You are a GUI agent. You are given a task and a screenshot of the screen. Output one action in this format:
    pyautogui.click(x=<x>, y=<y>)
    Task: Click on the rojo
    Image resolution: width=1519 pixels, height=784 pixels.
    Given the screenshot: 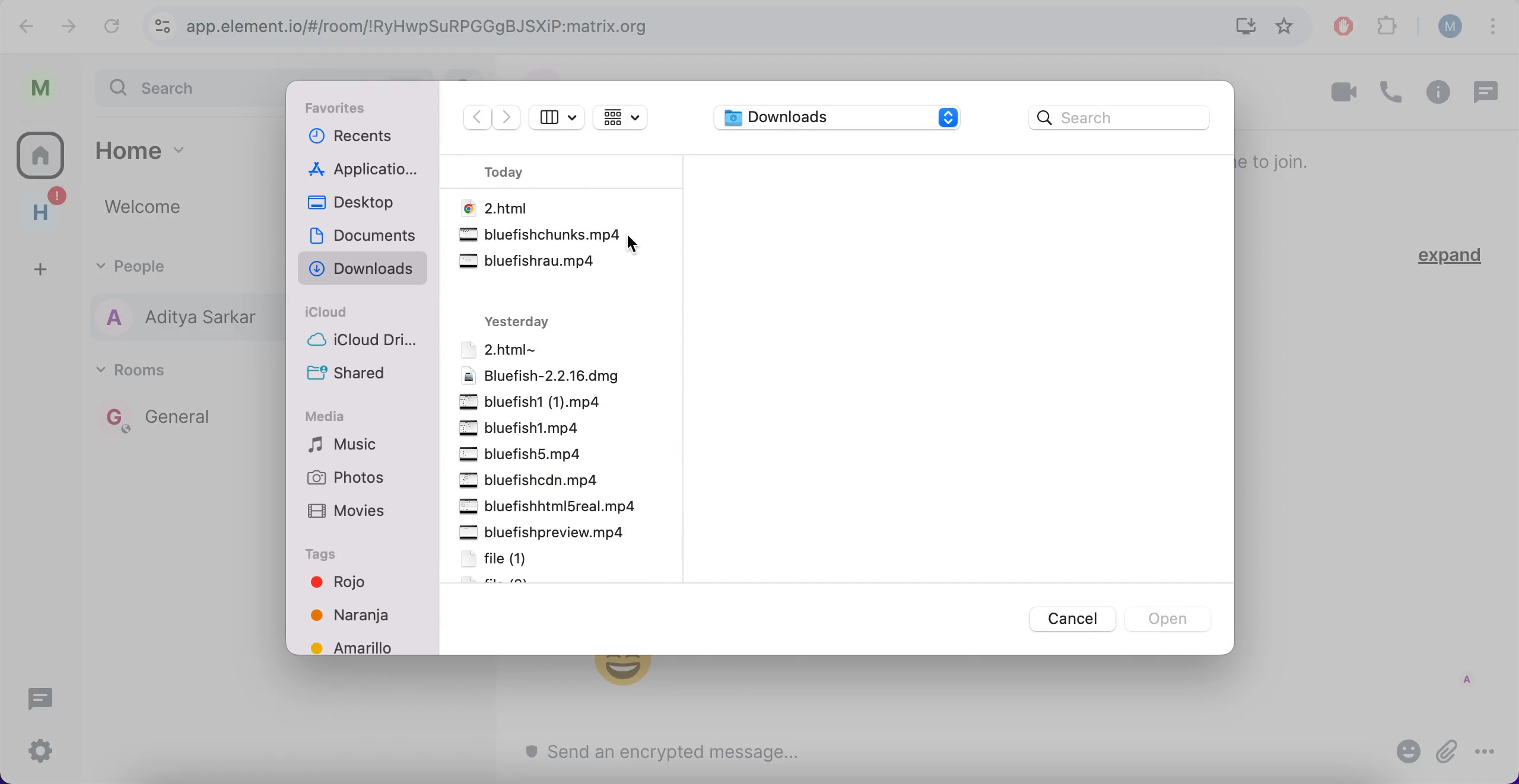 What is the action you would take?
    pyautogui.click(x=364, y=585)
    